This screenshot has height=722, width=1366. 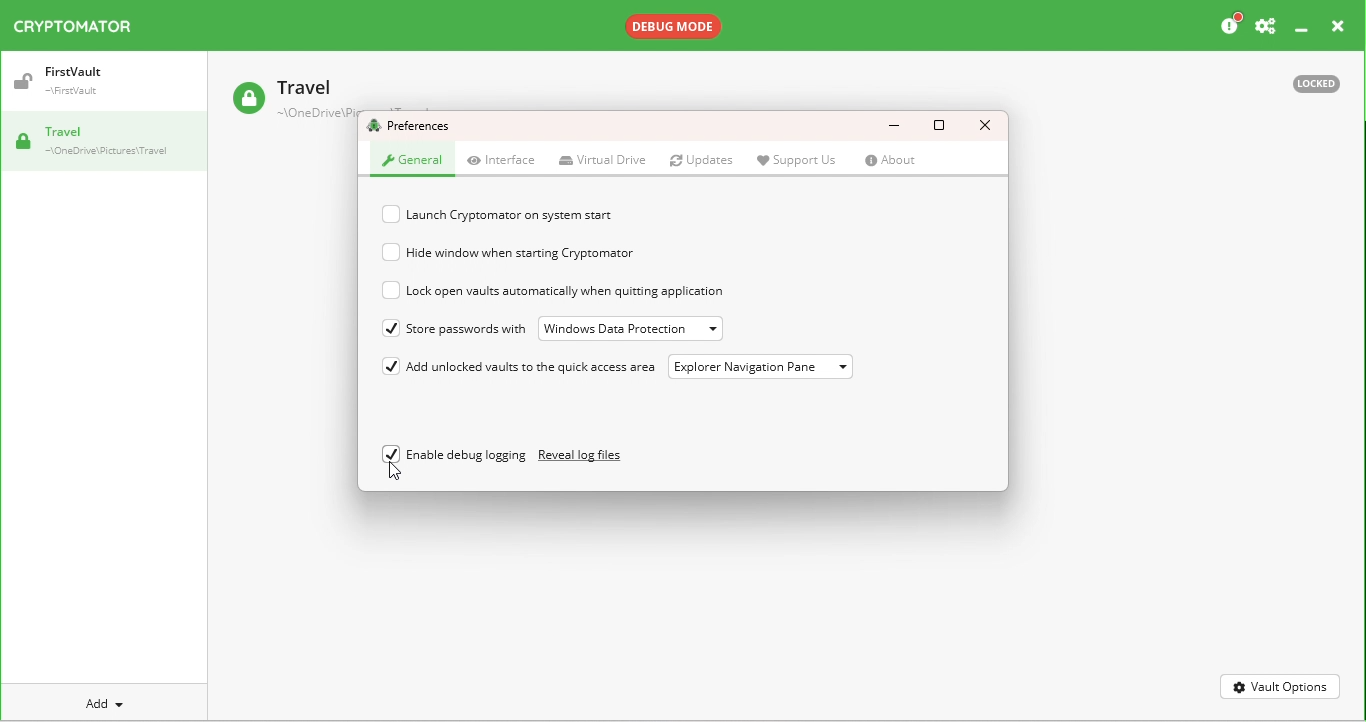 I want to click on Please consider donating , so click(x=1232, y=24).